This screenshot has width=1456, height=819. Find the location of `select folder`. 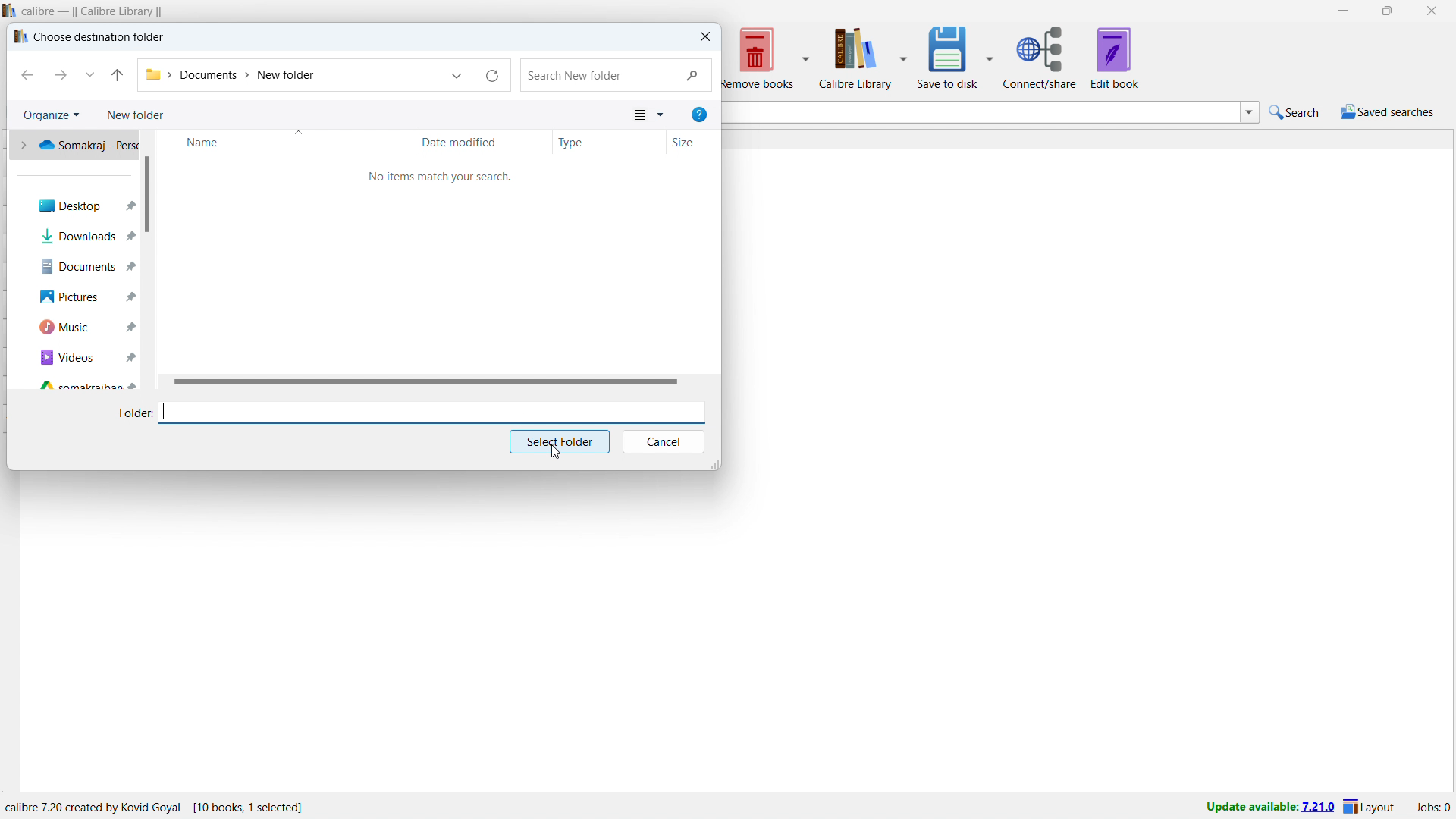

select folder is located at coordinates (558, 442).